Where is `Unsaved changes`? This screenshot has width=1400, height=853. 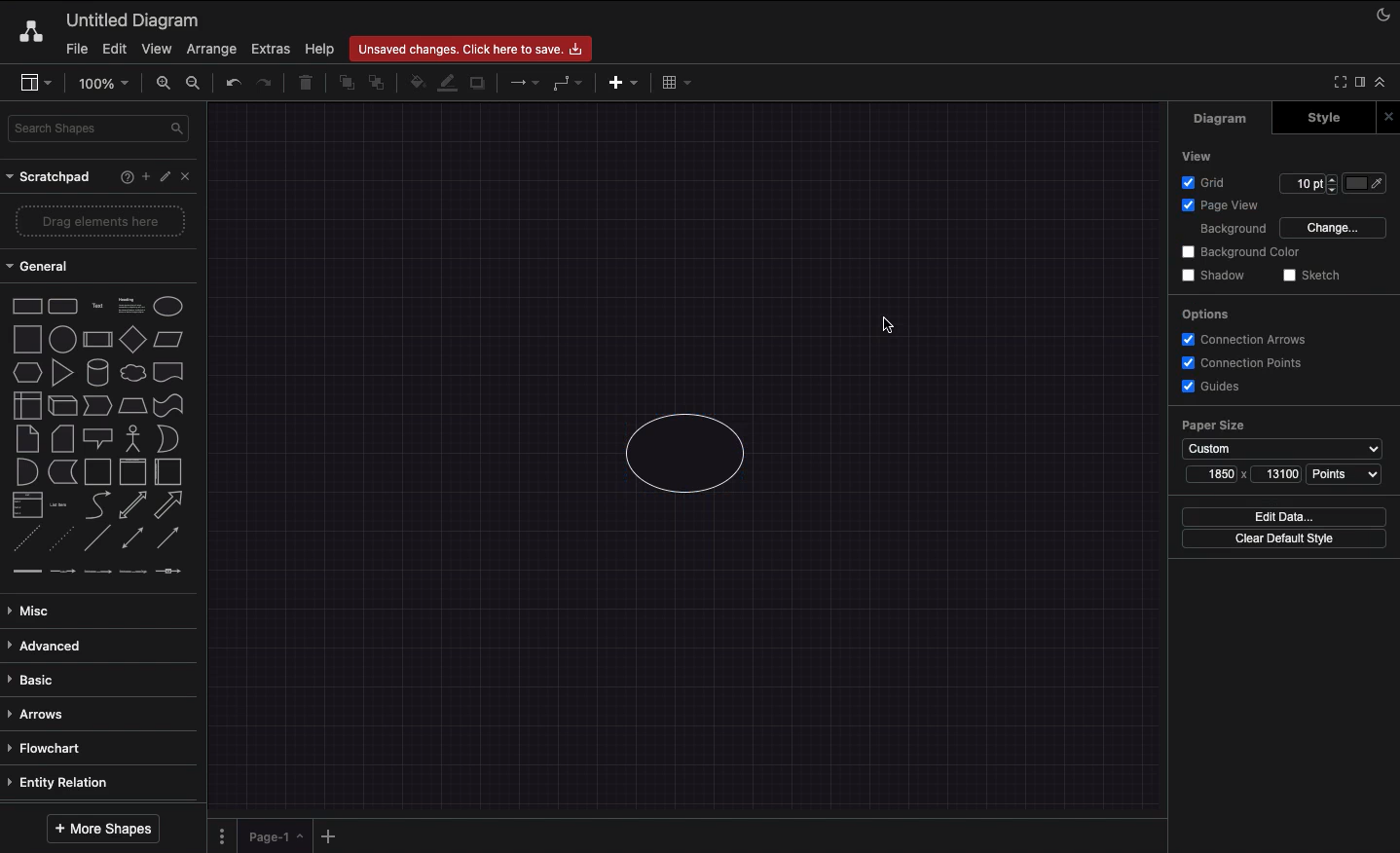 Unsaved changes is located at coordinates (473, 46).